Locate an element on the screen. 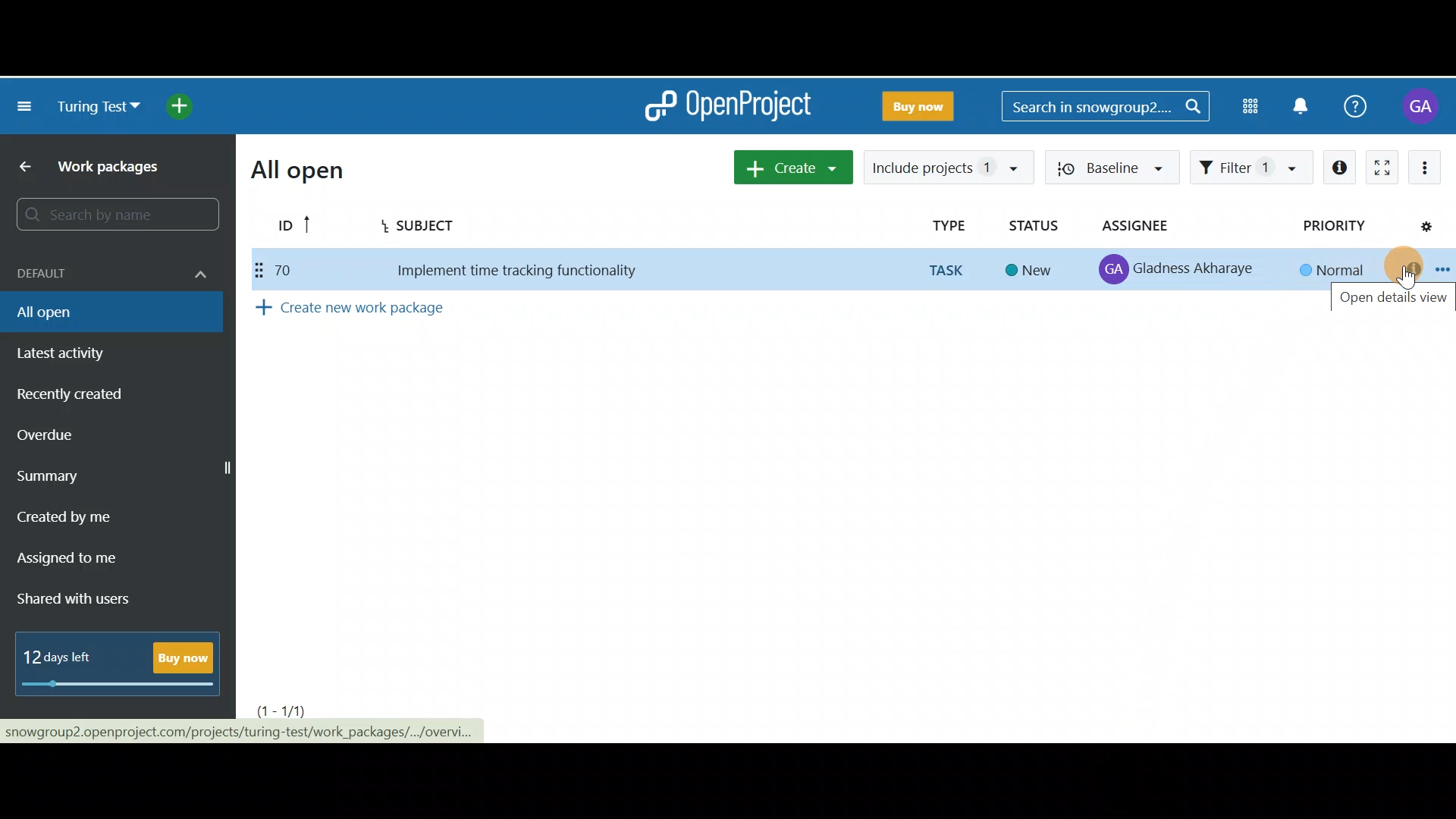 The width and height of the screenshot is (1456, 819). Summary is located at coordinates (121, 479).